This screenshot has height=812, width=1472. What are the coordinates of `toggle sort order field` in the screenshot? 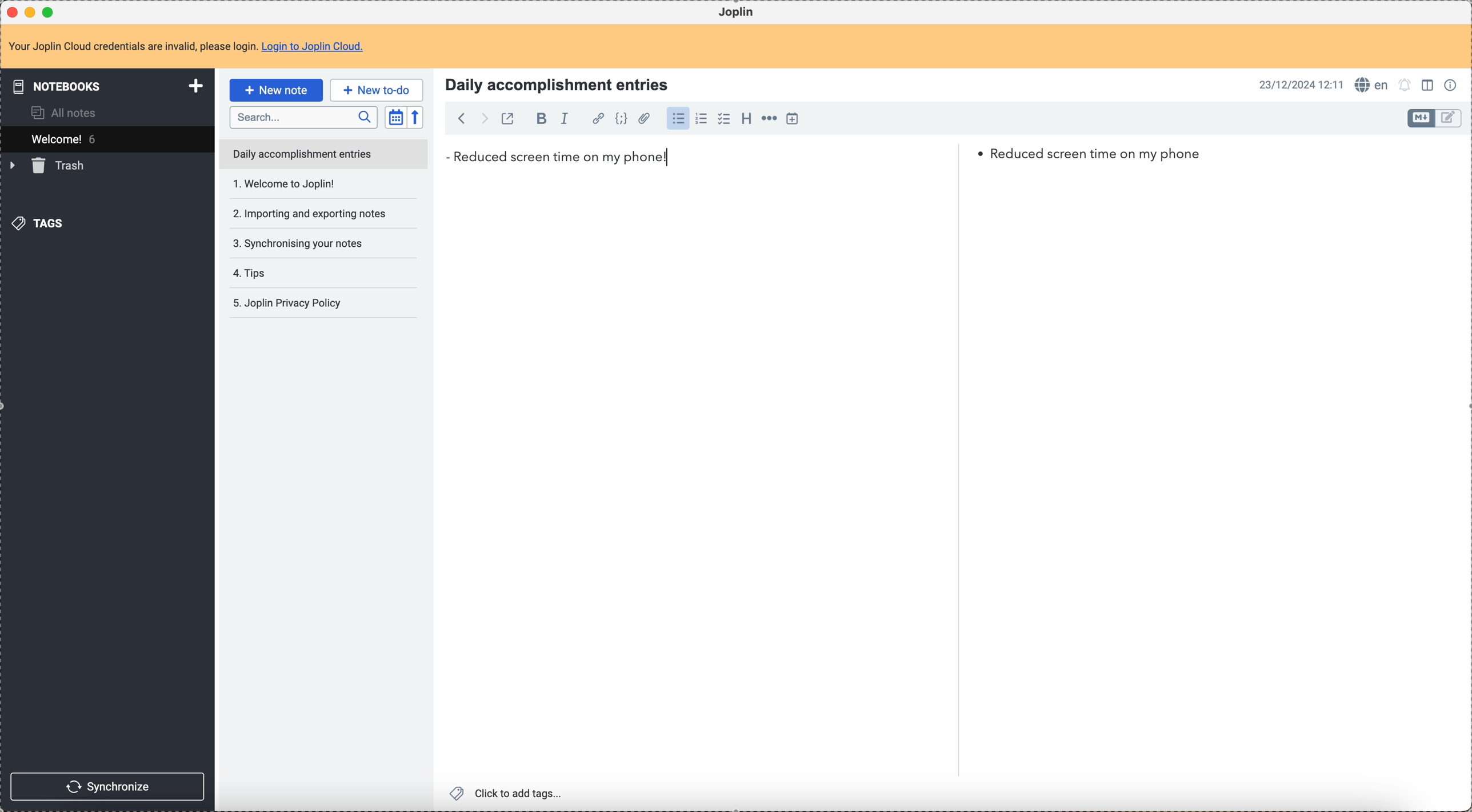 It's located at (395, 117).